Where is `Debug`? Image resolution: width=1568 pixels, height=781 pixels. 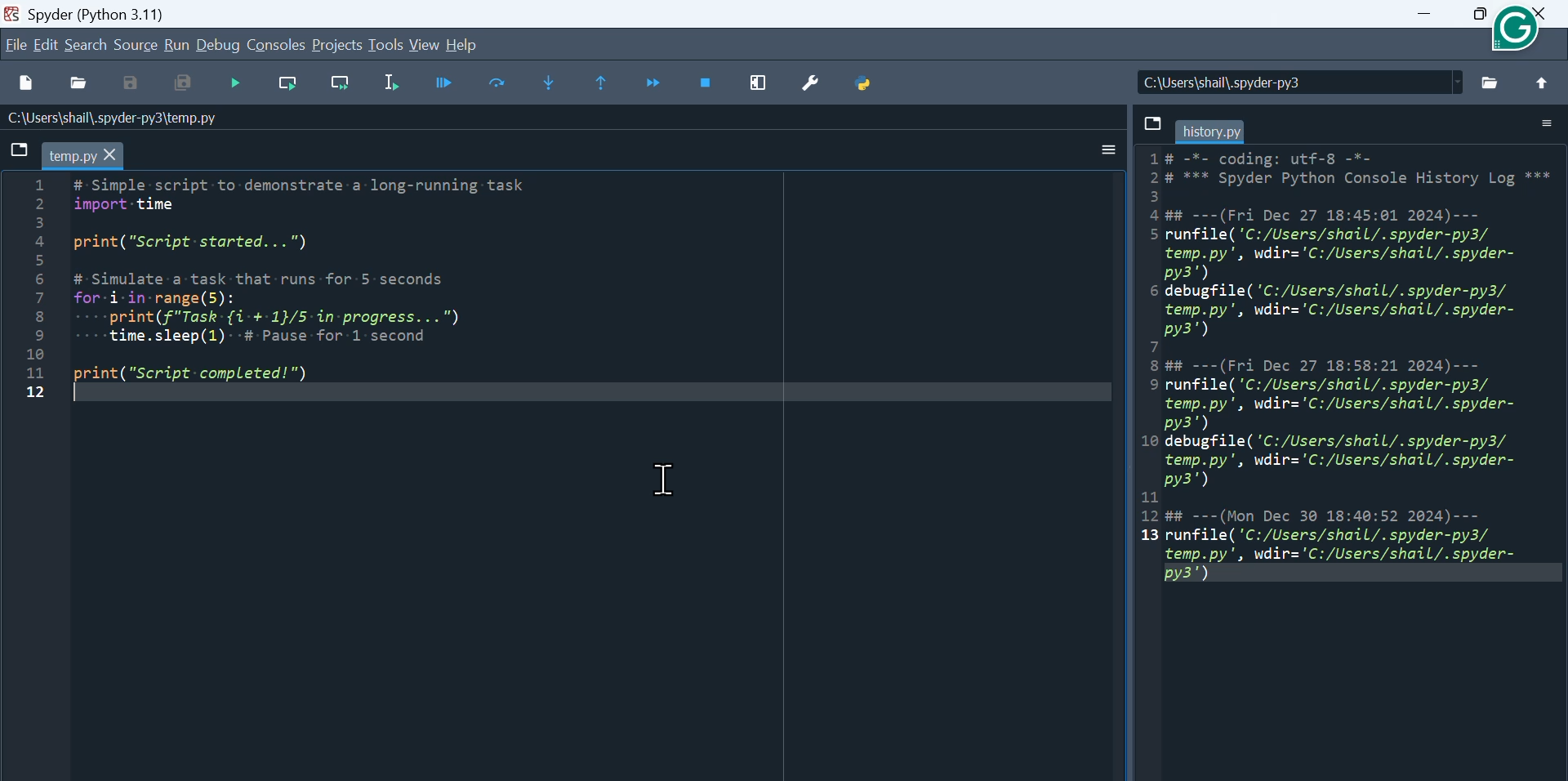 Debug is located at coordinates (216, 47).